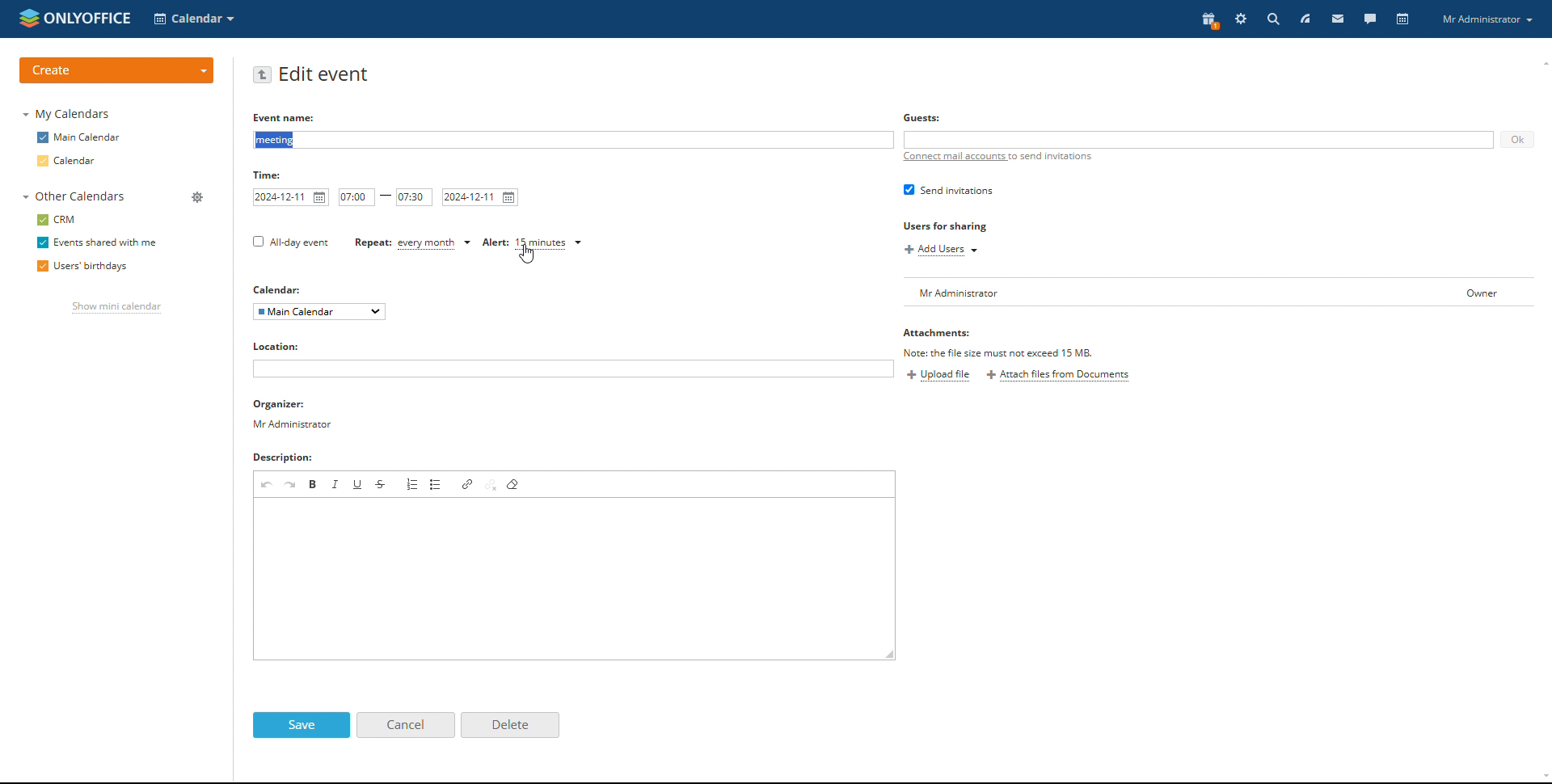 This screenshot has width=1552, height=784. Describe the element at coordinates (481, 197) in the screenshot. I see `end date` at that location.